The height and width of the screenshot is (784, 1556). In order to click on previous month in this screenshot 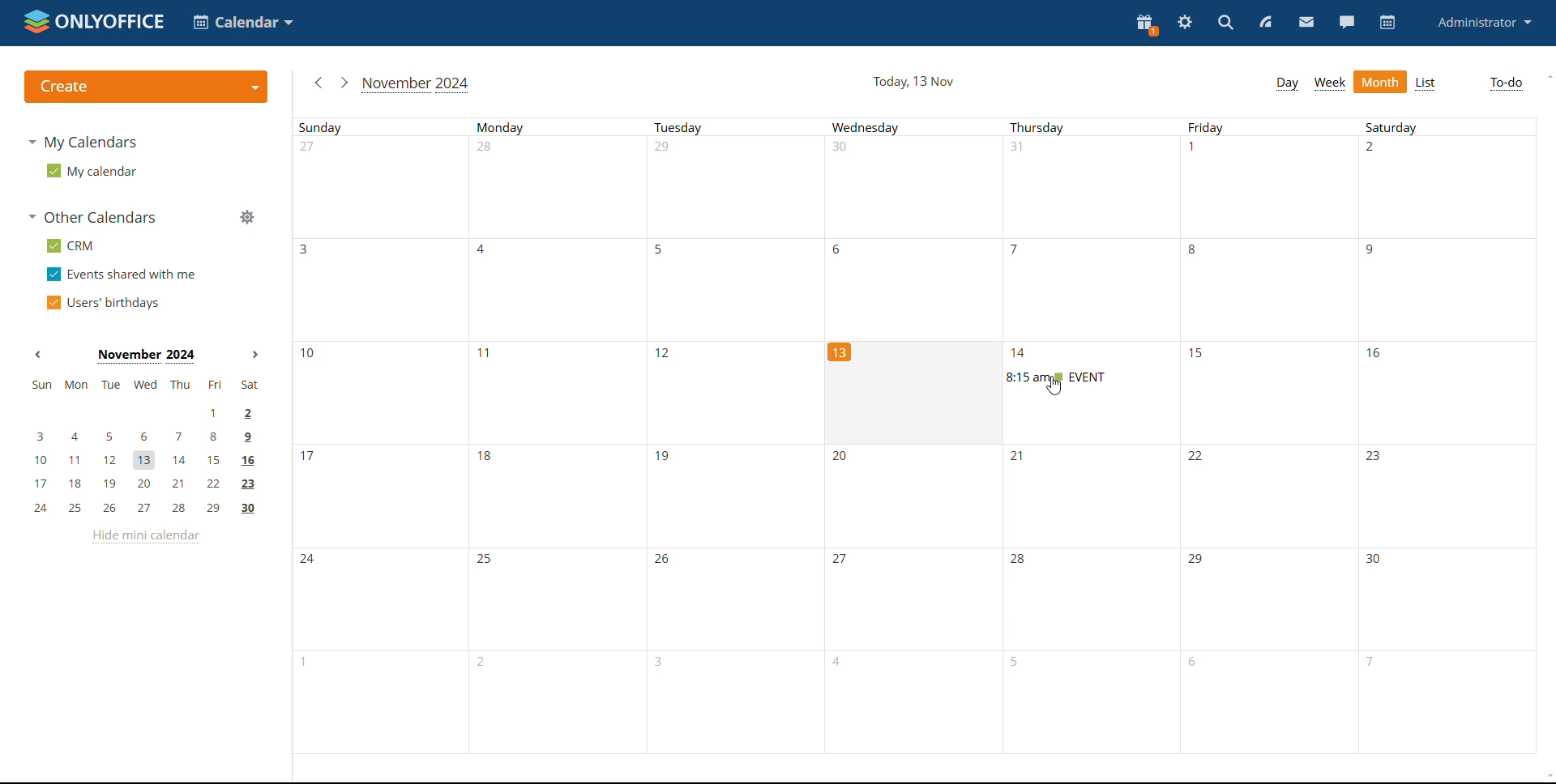, I will do `click(316, 83)`.